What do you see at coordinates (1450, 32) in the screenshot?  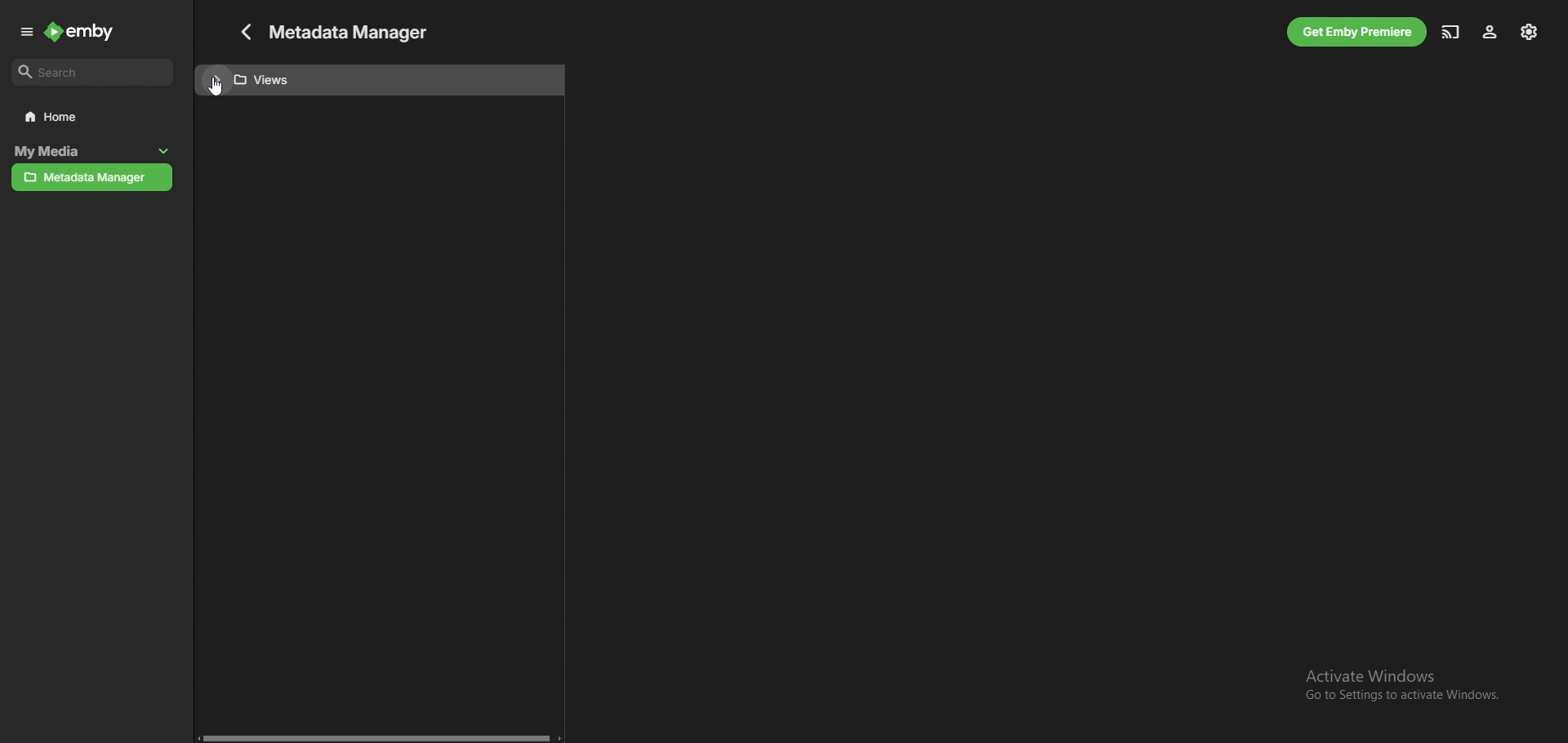 I see `cast` at bounding box center [1450, 32].